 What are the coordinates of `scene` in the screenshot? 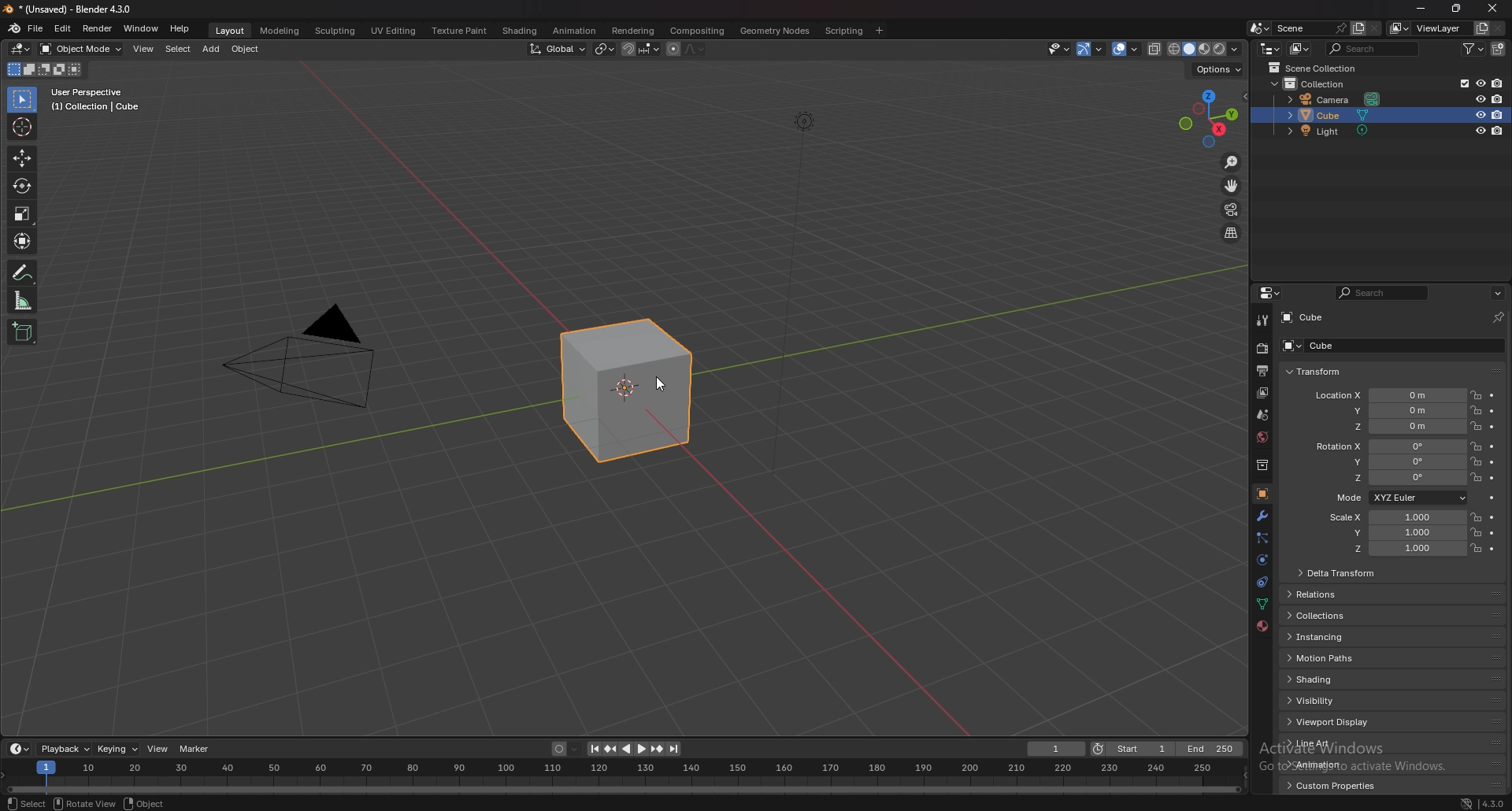 It's located at (1313, 28).